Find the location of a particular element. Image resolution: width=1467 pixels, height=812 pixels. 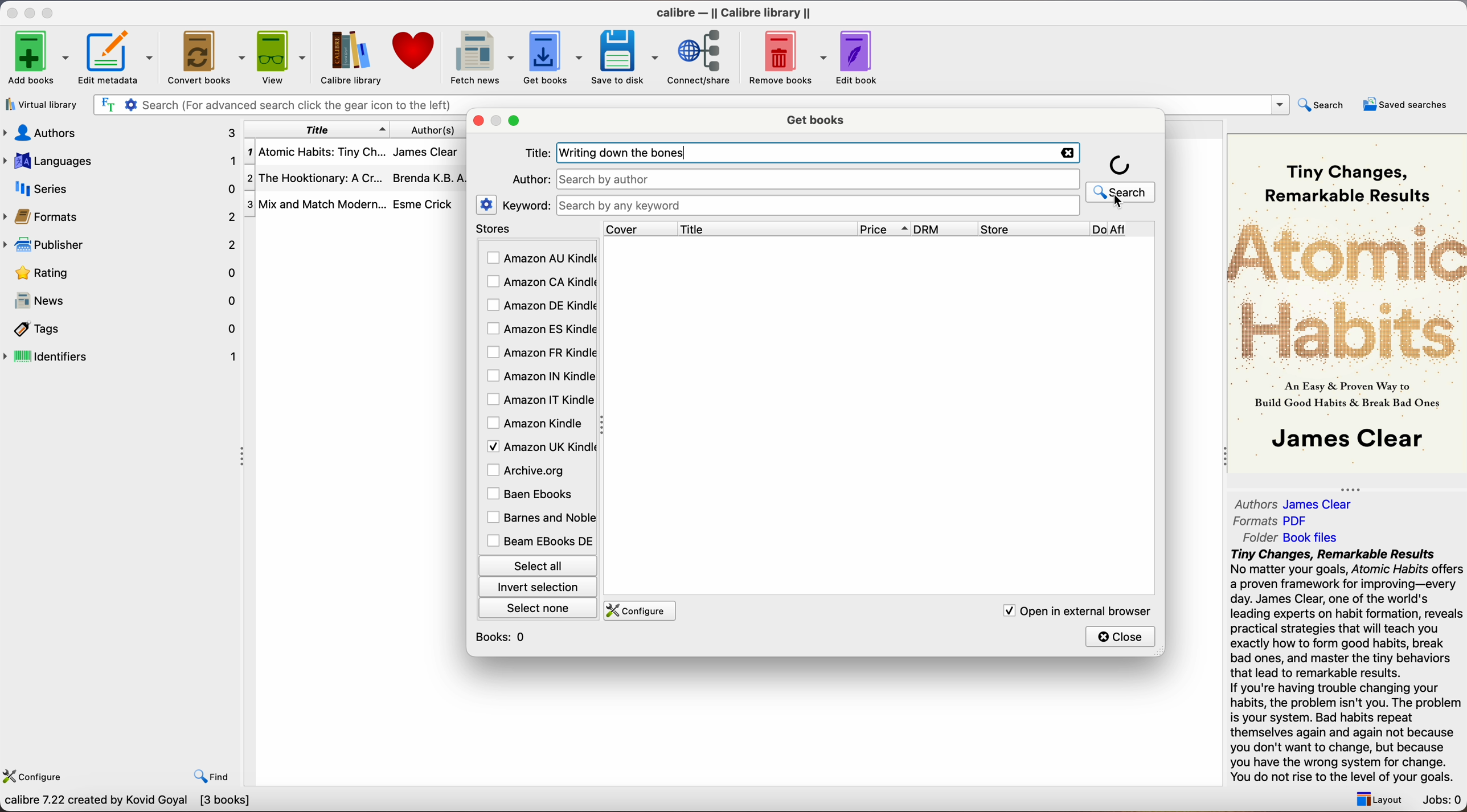

view is located at coordinates (283, 56).